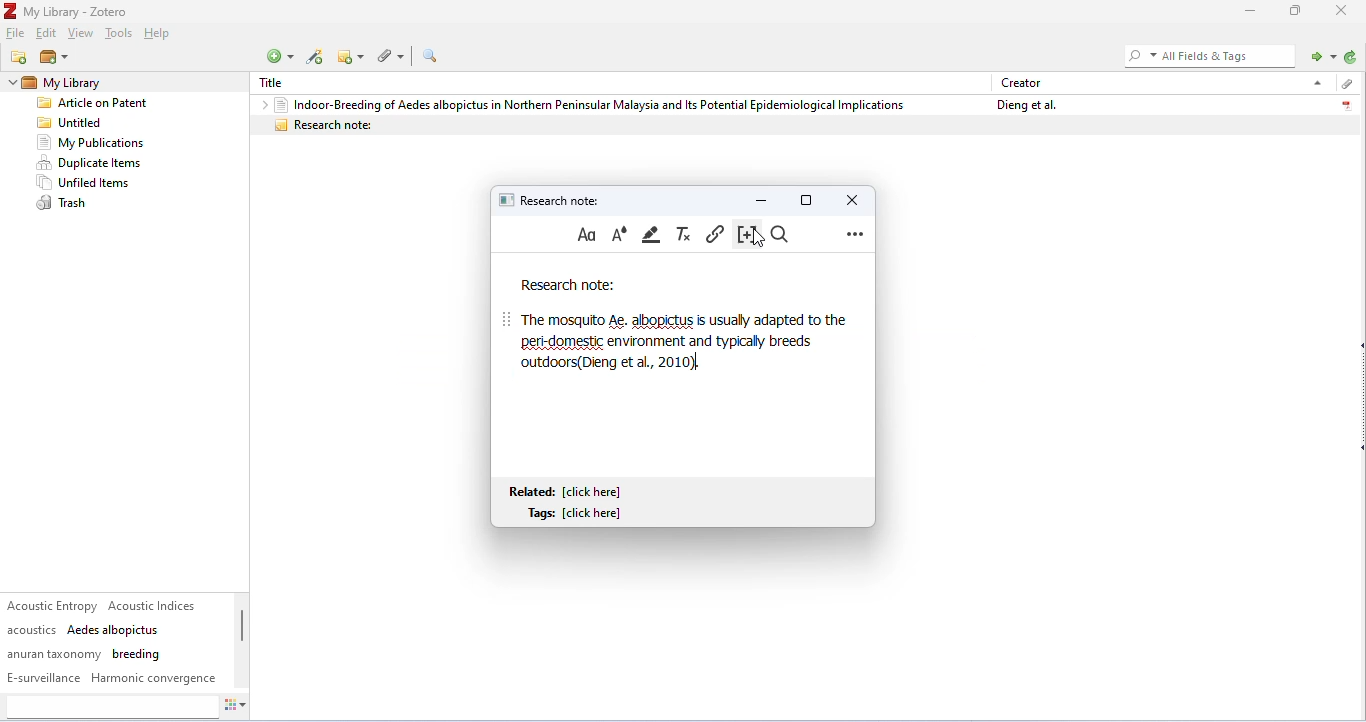  Describe the element at coordinates (65, 204) in the screenshot. I see `trash` at that location.